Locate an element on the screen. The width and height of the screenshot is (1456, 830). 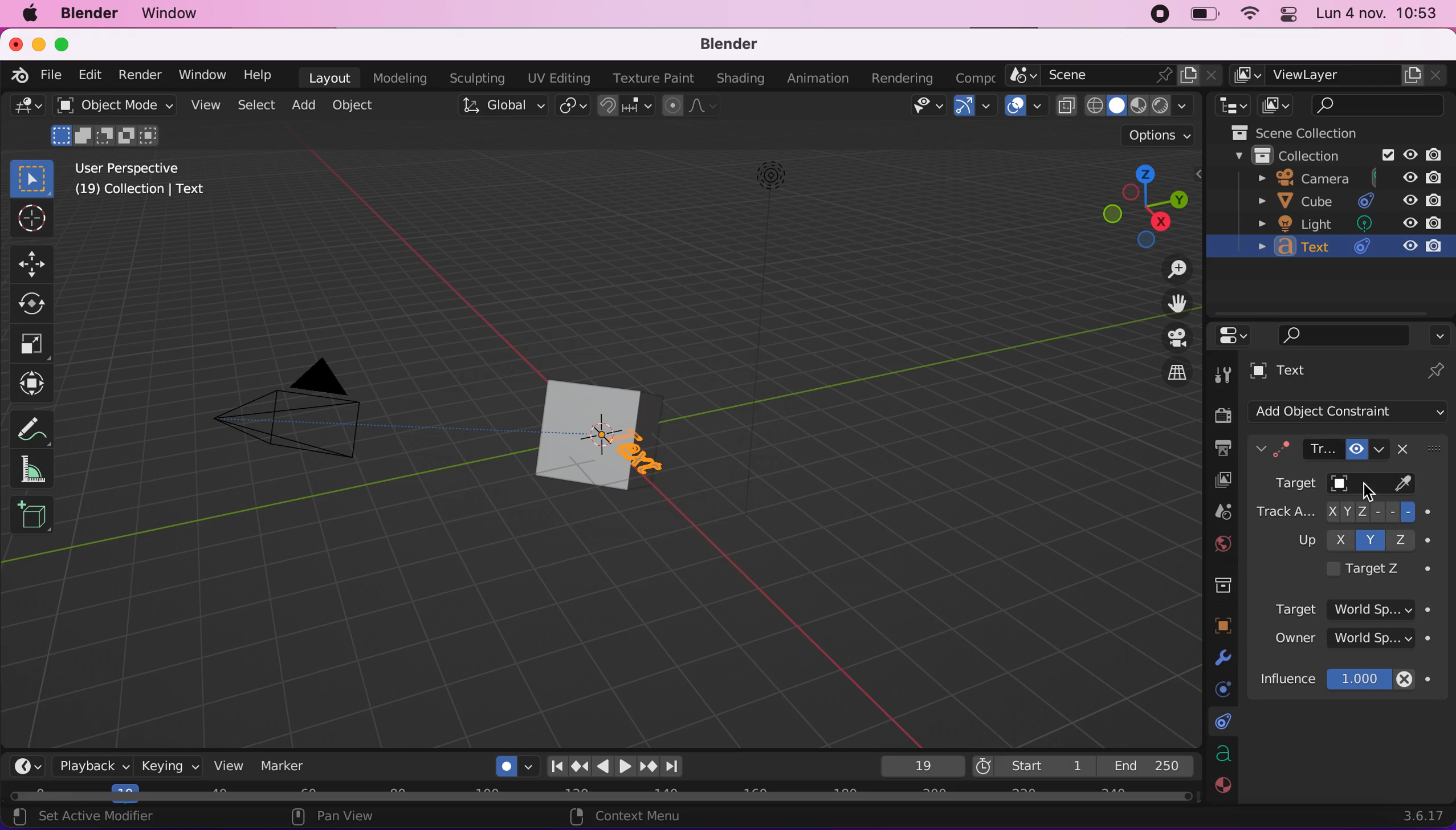
gizmos is located at coordinates (971, 107).